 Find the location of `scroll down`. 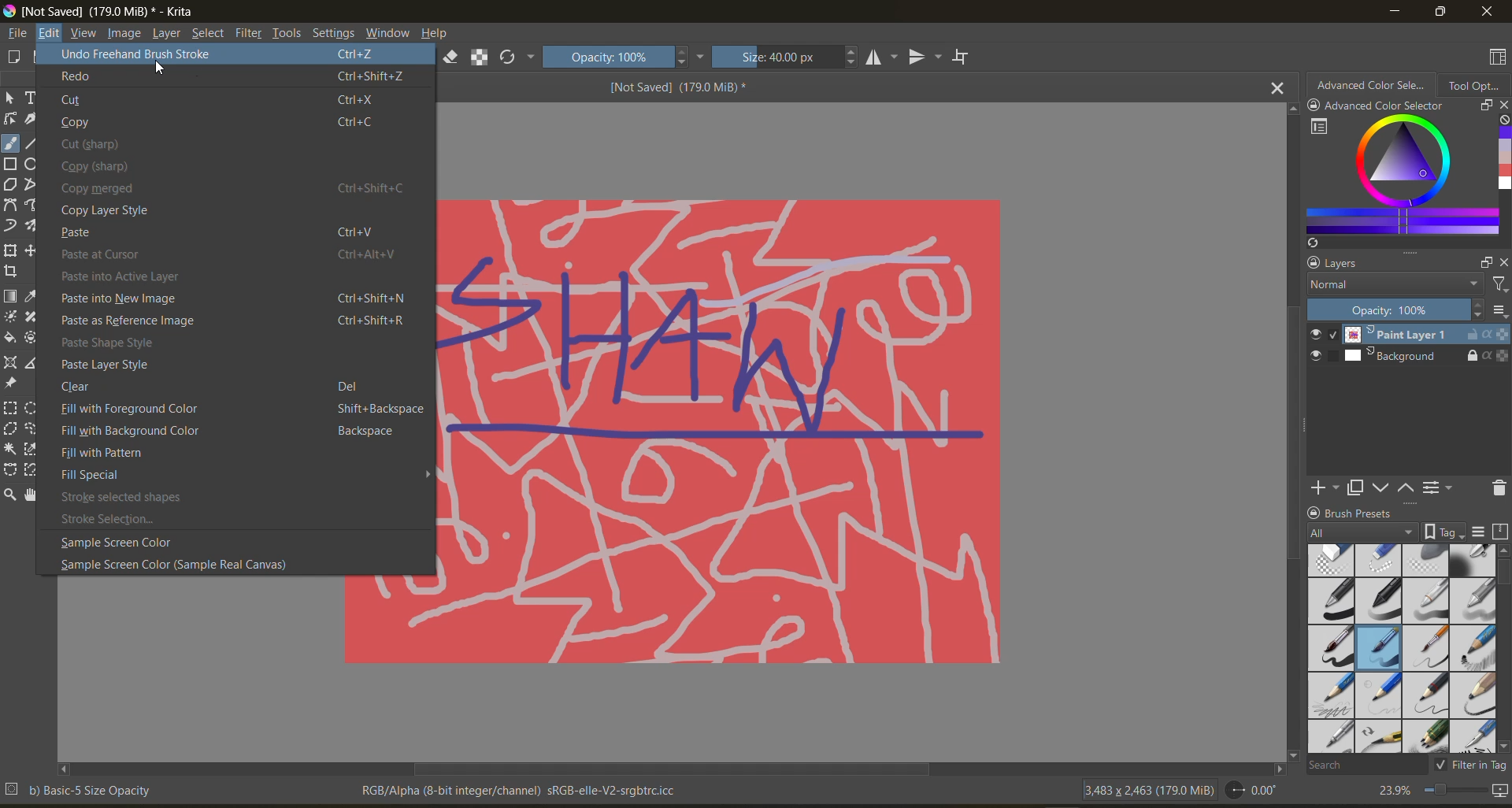

scroll down is located at coordinates (1294, 755).